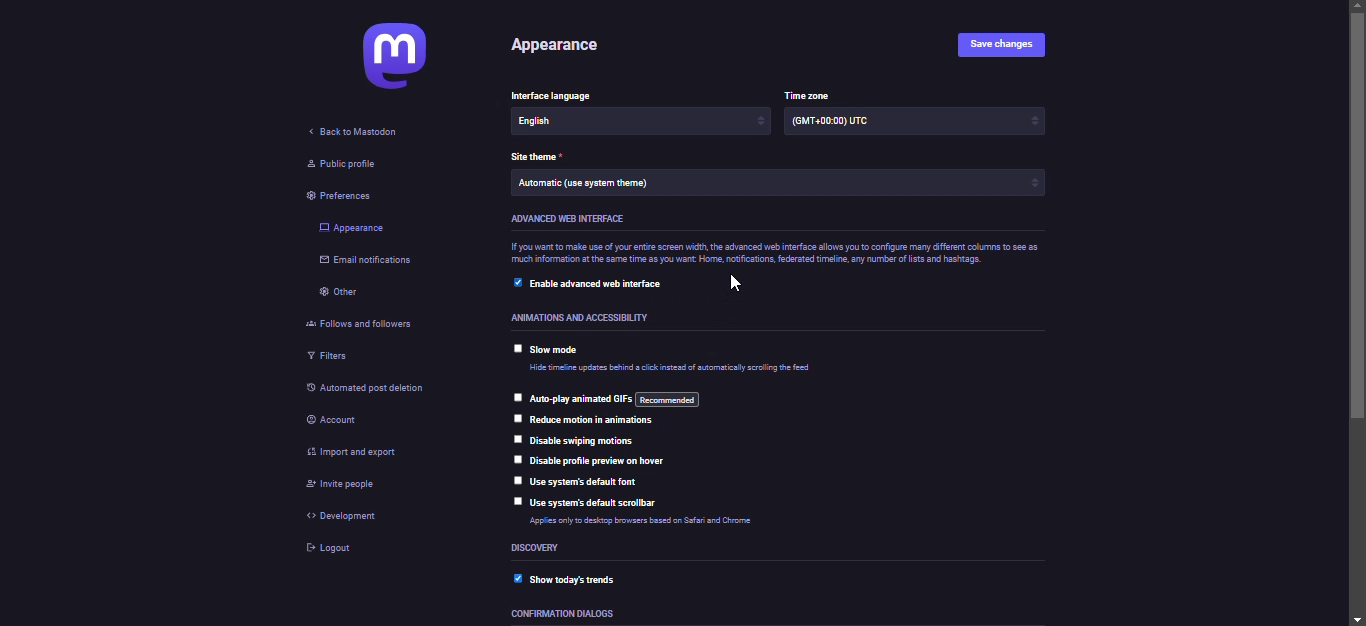  What do you see at coordinates (372, 388) in the screenshot?
I see `automated post deletion` at bounding box center [372, 388].